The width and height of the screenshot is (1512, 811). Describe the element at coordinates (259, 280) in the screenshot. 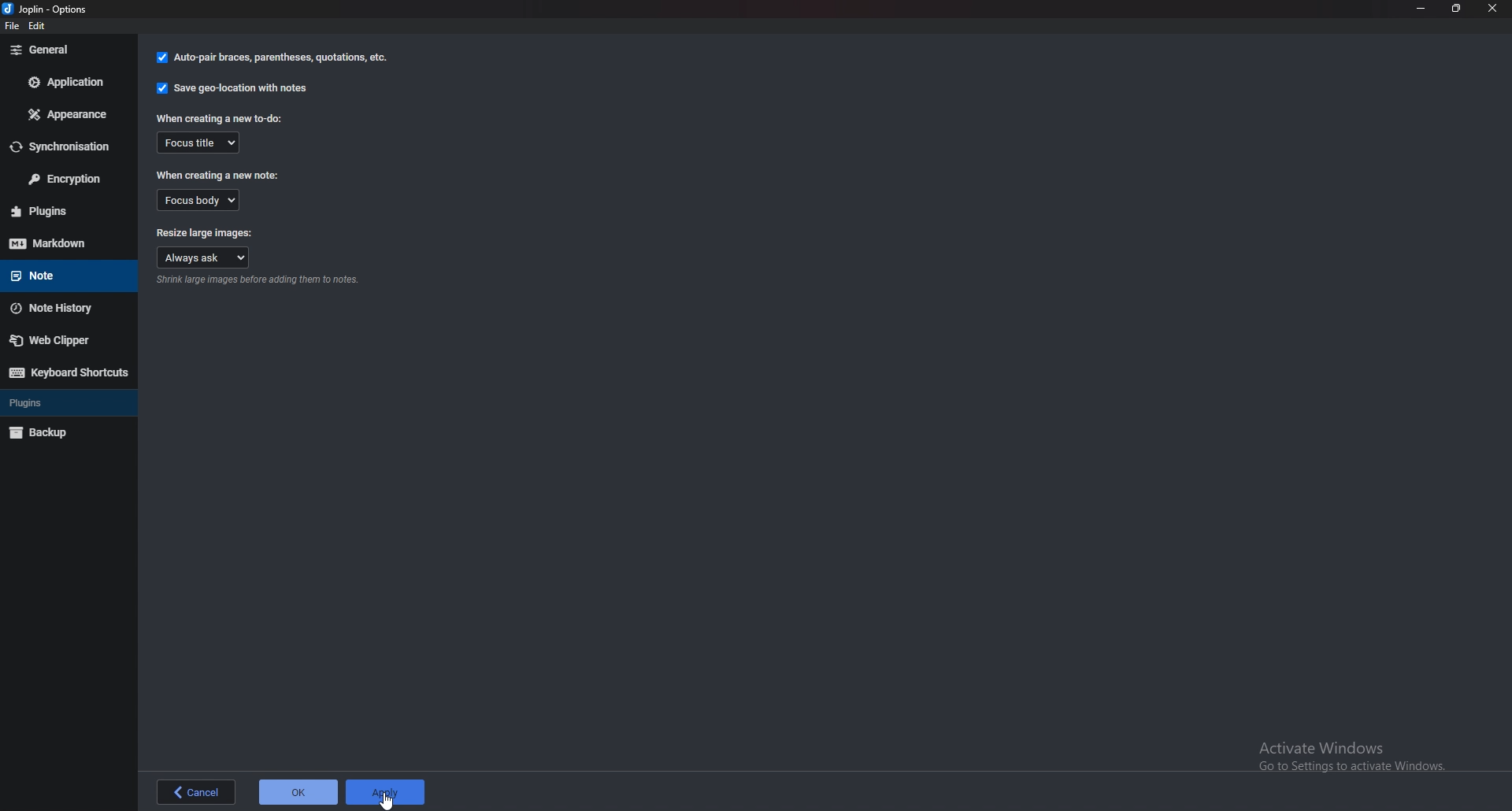

I see `Info` at that location.